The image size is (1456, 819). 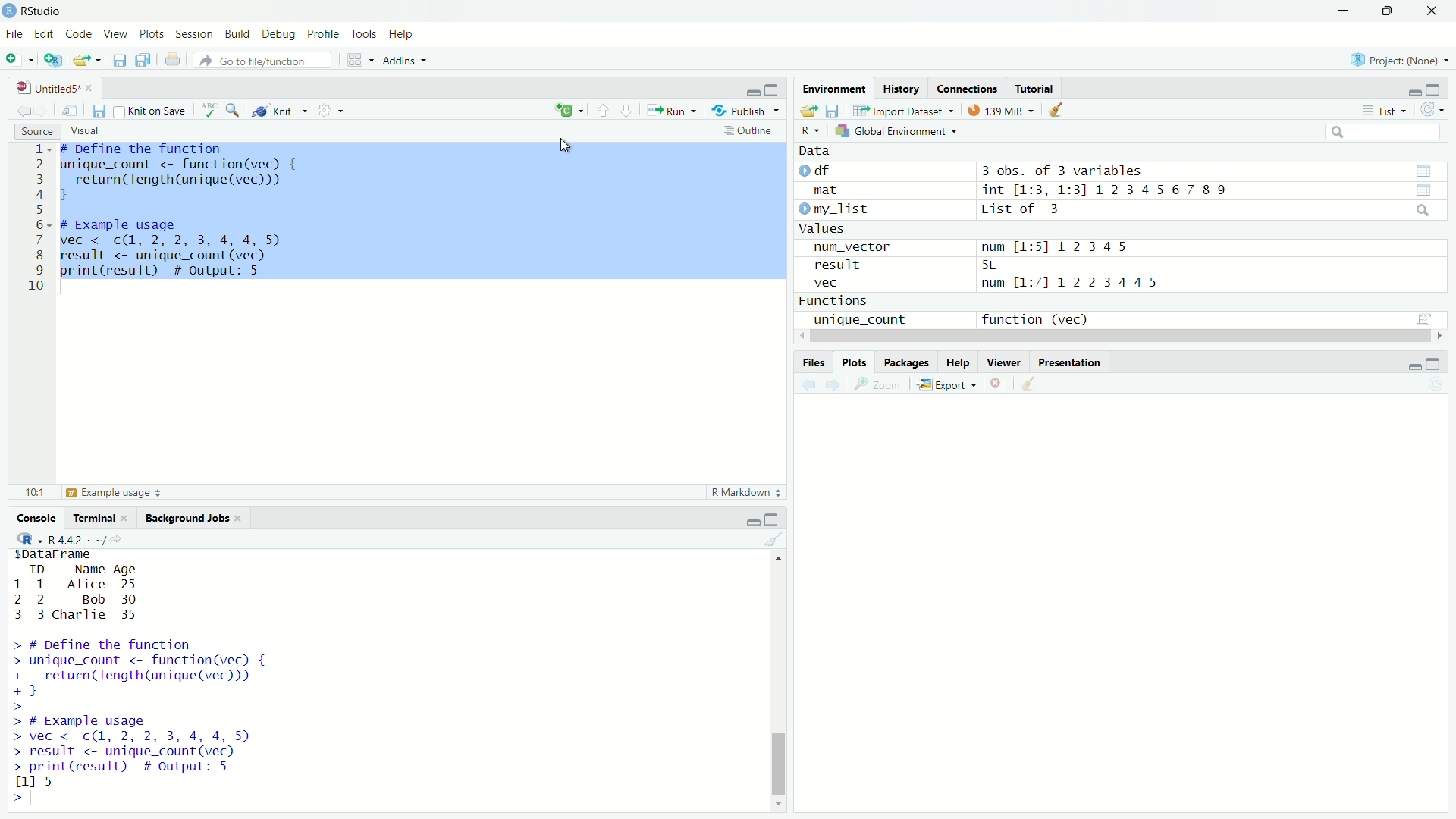 I want to click on knit, so click(x=280, y=111).